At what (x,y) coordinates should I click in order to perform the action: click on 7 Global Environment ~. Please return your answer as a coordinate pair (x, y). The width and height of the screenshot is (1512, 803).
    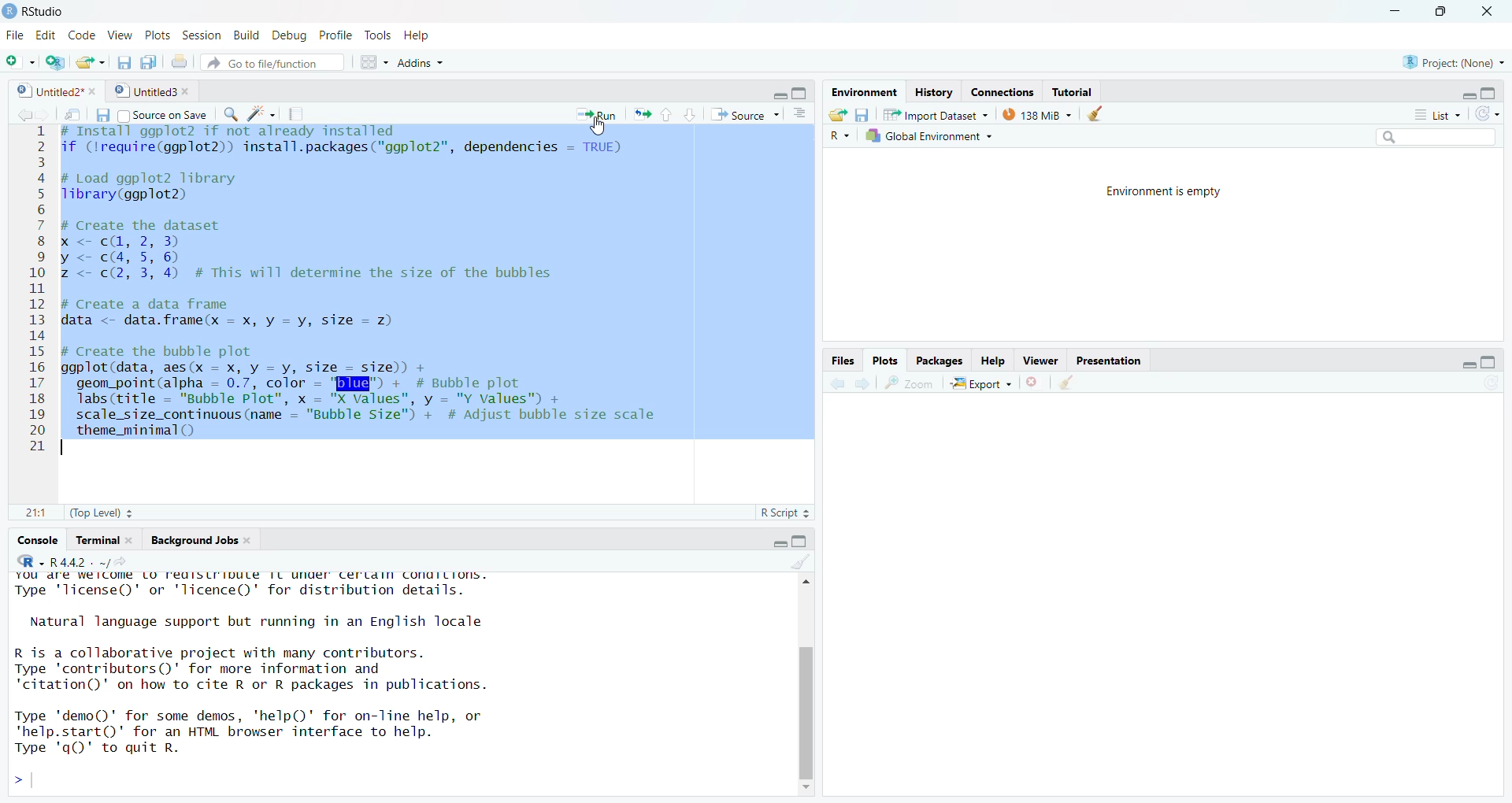
    Looking at the image, I should click on (932, 135).